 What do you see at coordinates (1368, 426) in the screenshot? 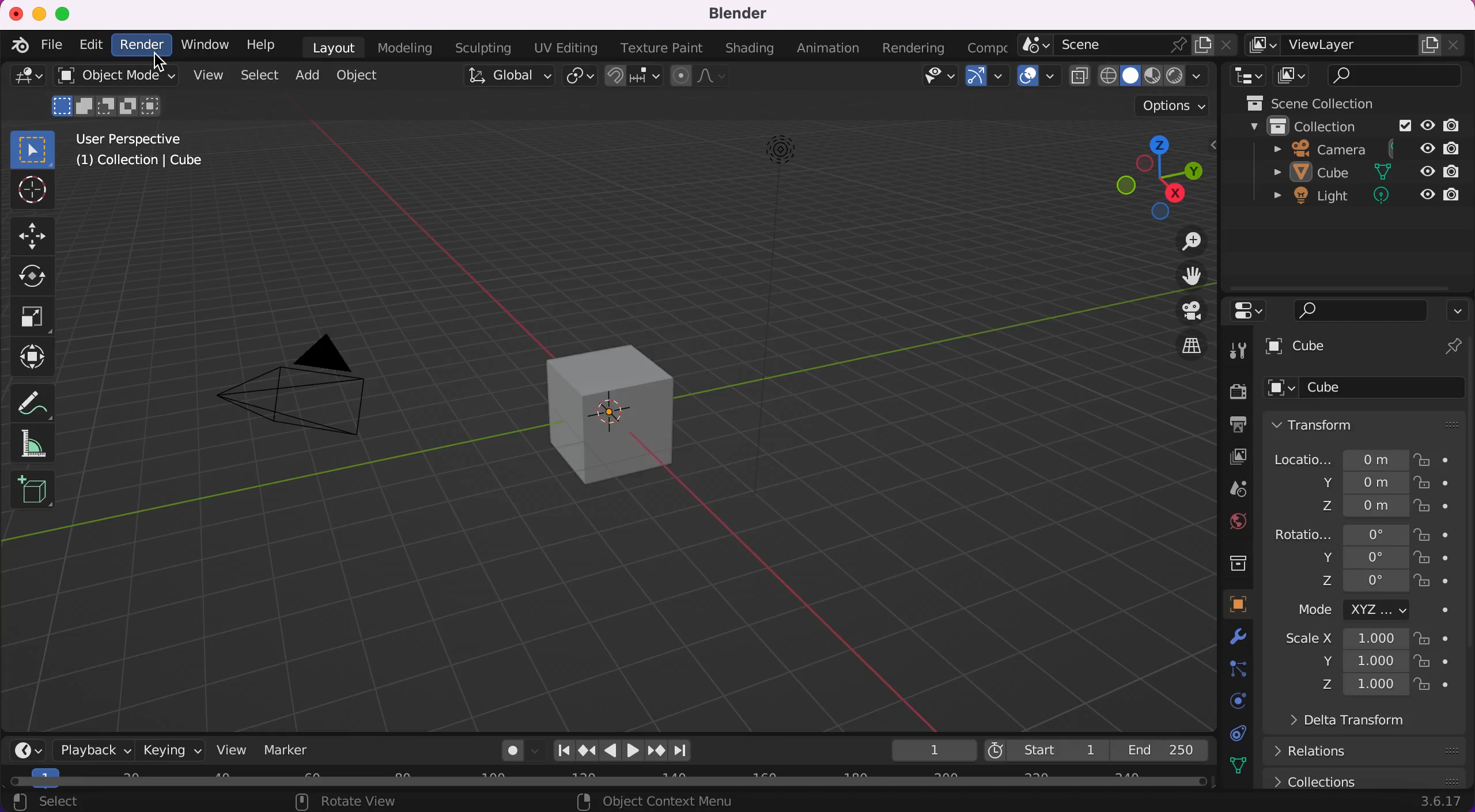
I see `transform` at bounding box center [1368, 426].